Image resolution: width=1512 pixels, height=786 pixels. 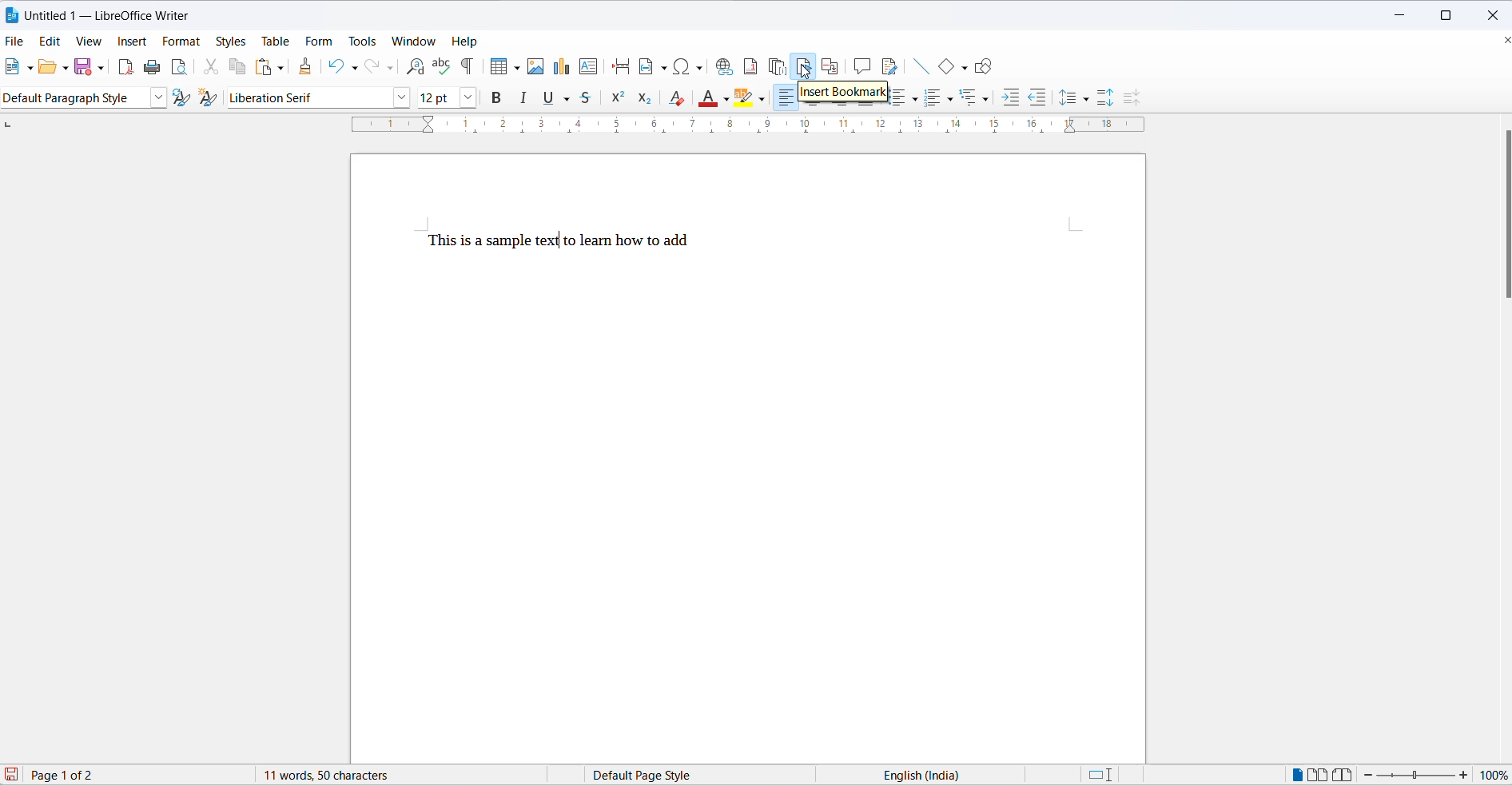 I want to click on insert, so click(x=131, y=40).